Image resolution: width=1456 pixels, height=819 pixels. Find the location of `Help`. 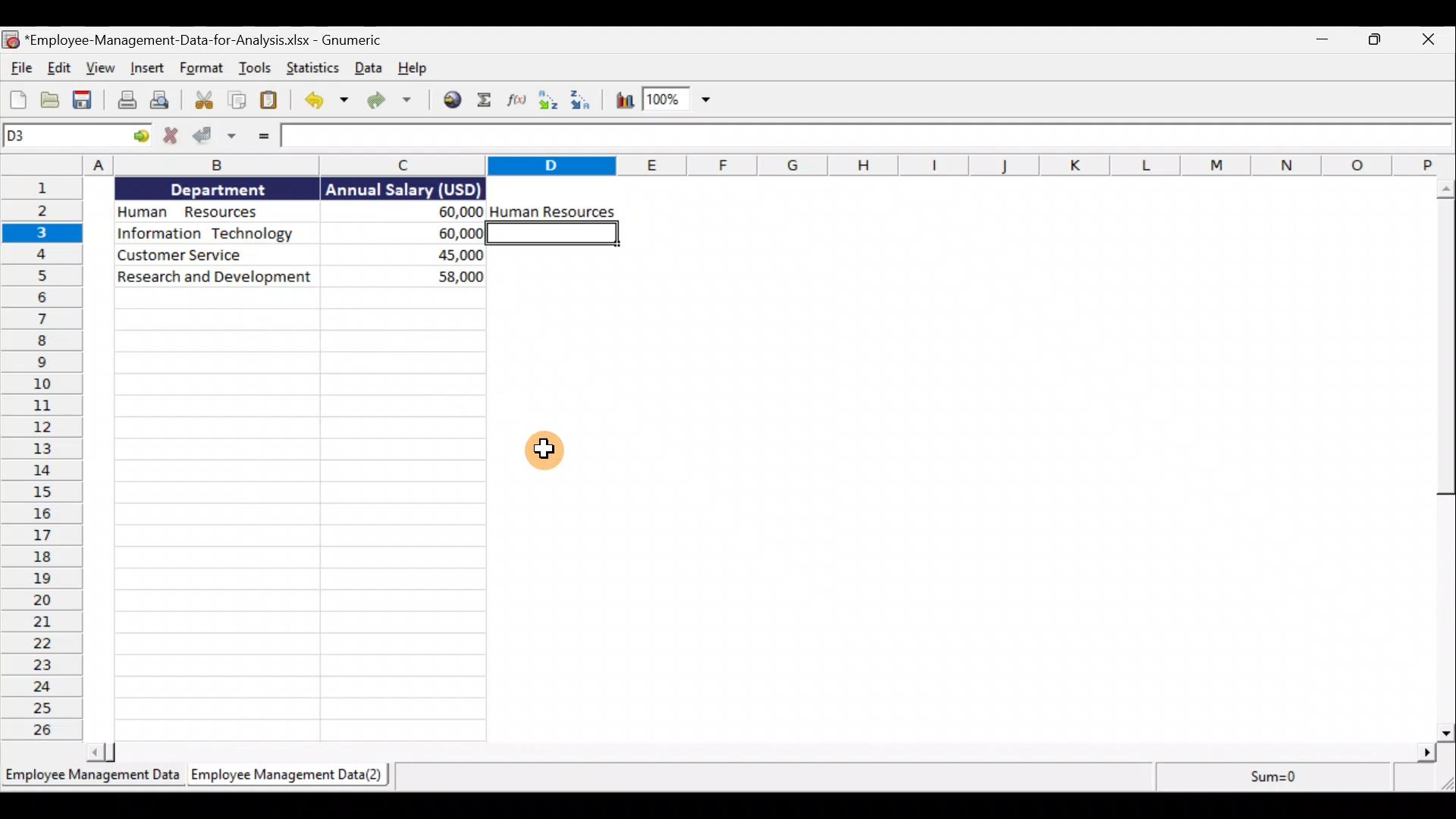

Help is located at coordinates (412, 69).